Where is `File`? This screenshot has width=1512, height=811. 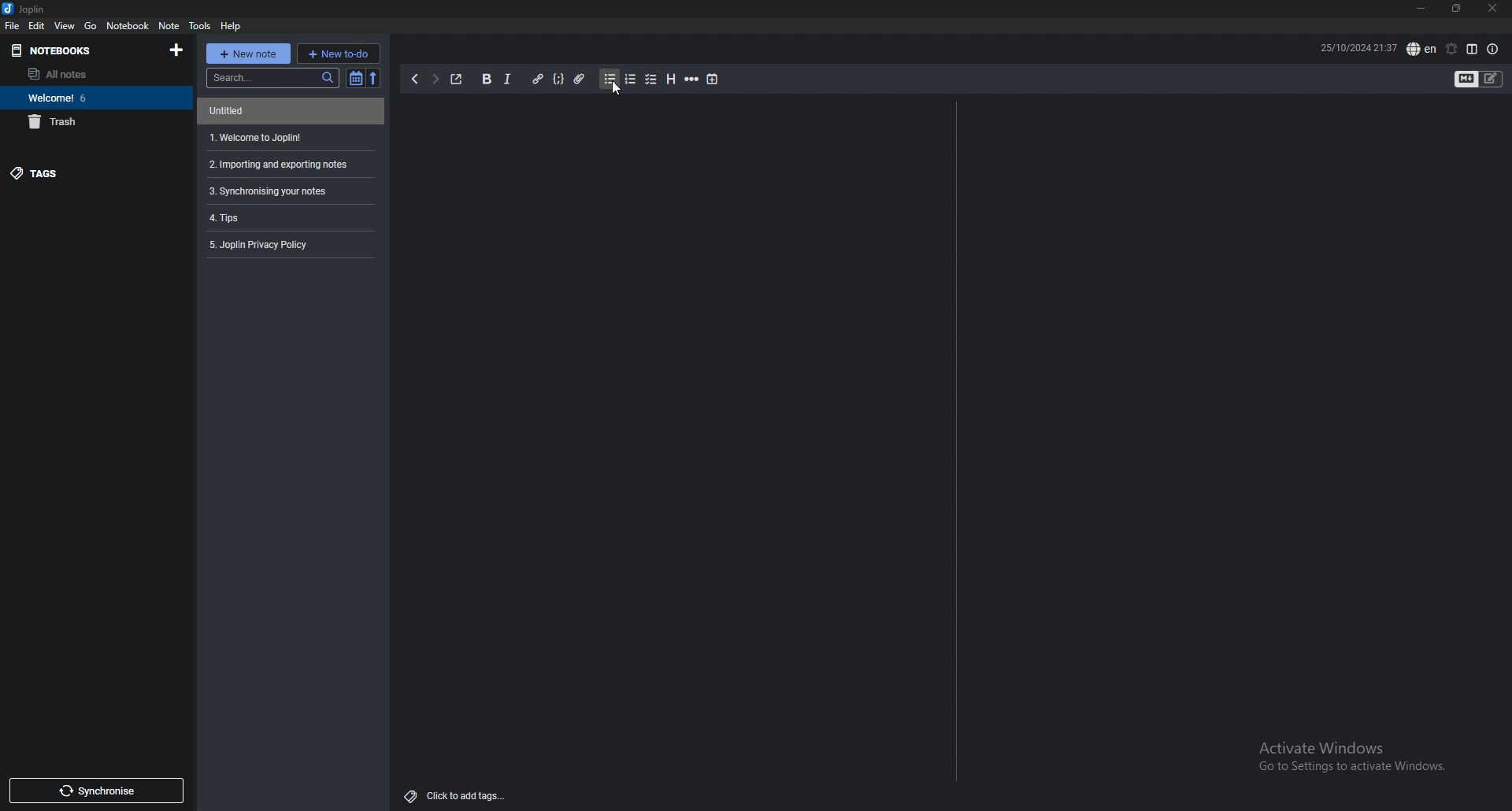
File is located at coordinates (13, 25).